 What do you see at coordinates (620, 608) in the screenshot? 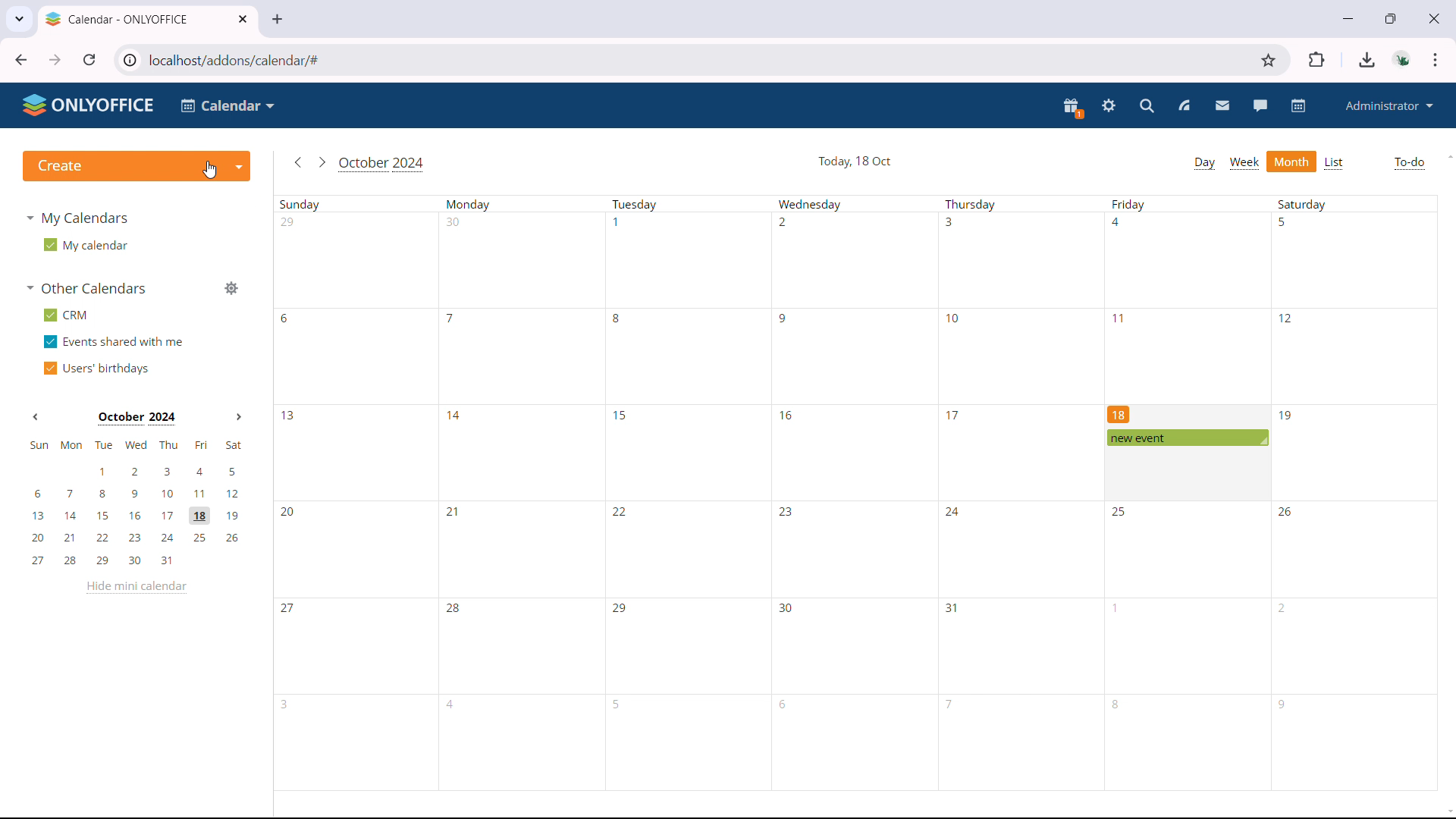
I see `29` at bounding box center [620, 608].